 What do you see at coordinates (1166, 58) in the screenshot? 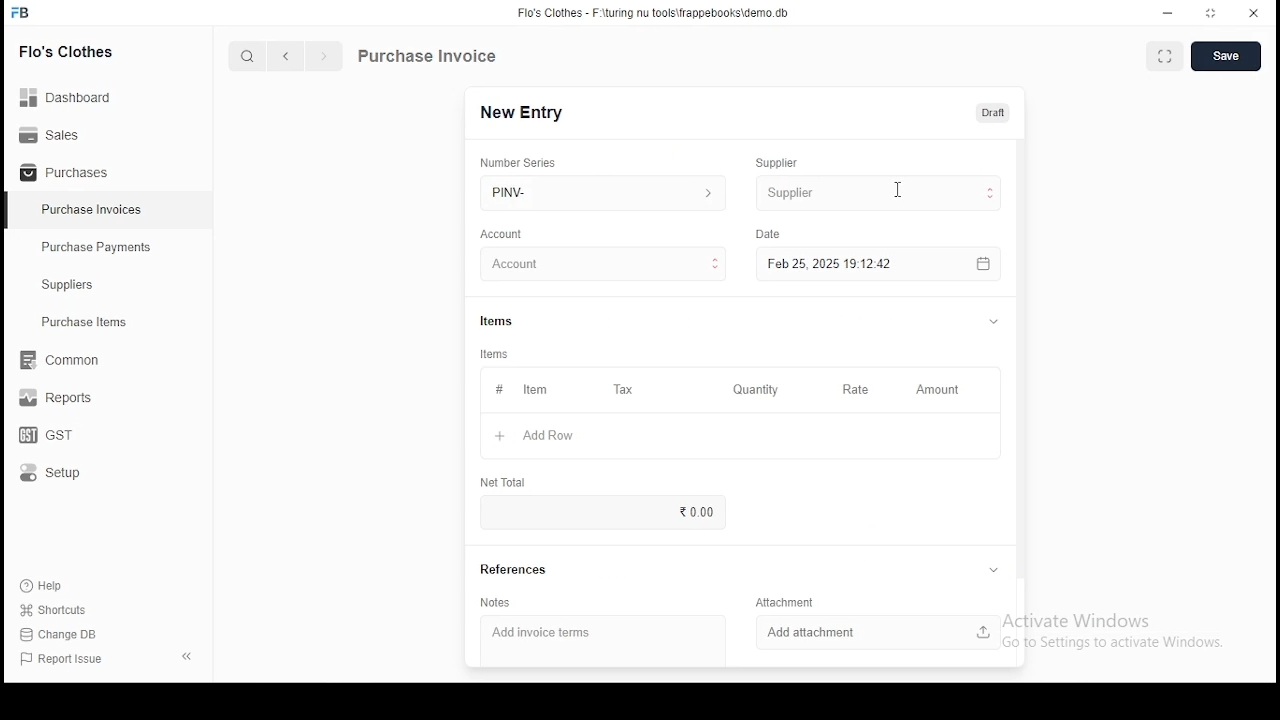
I see `toggle between form and fullscreen ` at bounding box center [1166, 58].